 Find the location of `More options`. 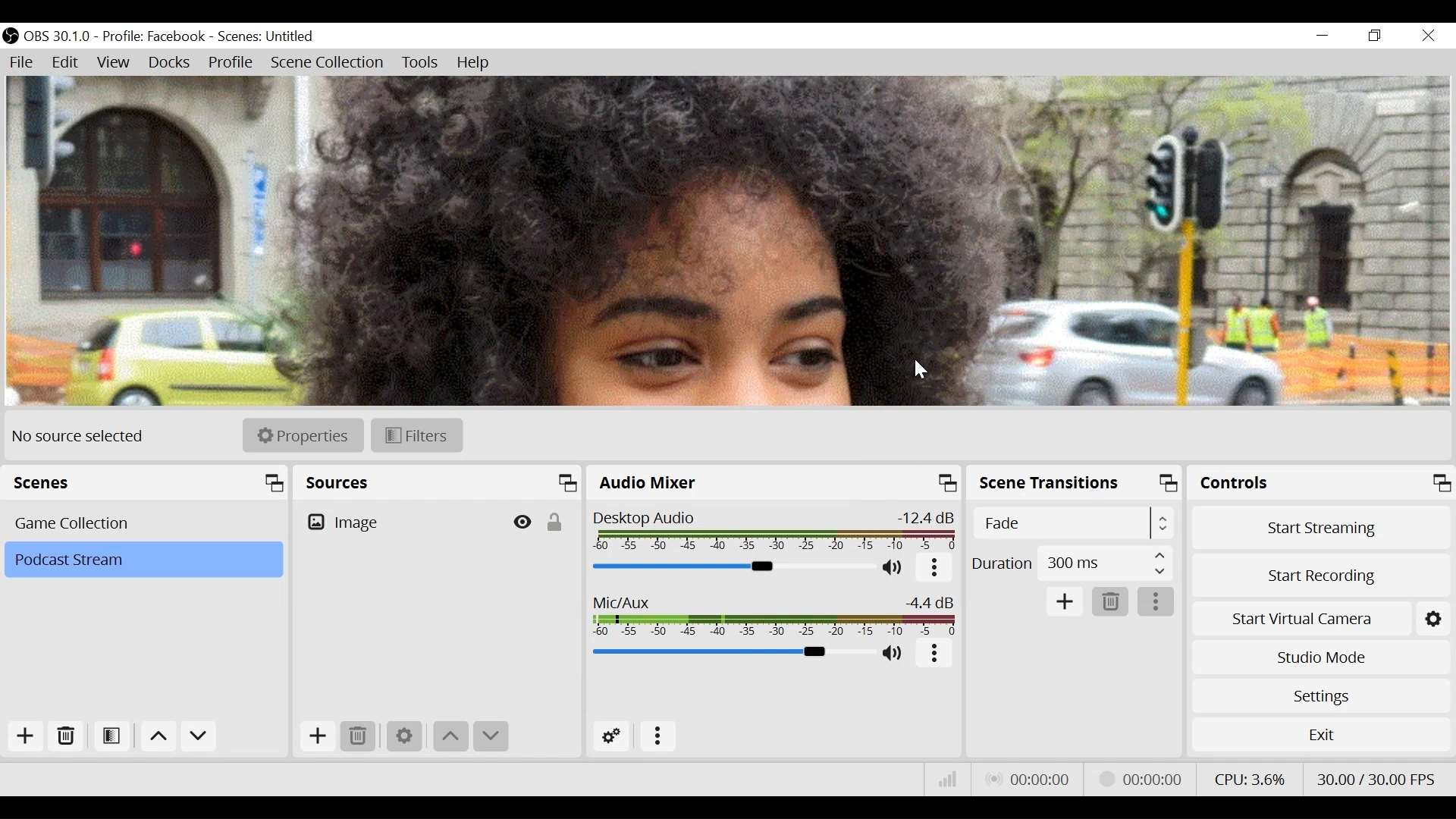

More options is located at coordinates (1158, 601).